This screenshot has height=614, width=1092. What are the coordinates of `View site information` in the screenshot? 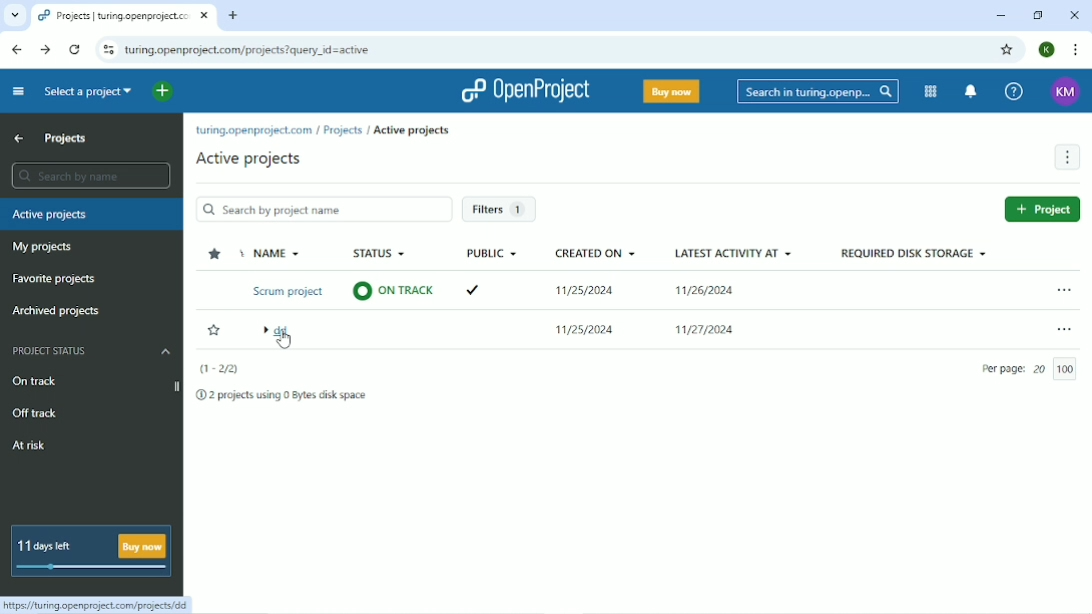 It's located at (108, 50).